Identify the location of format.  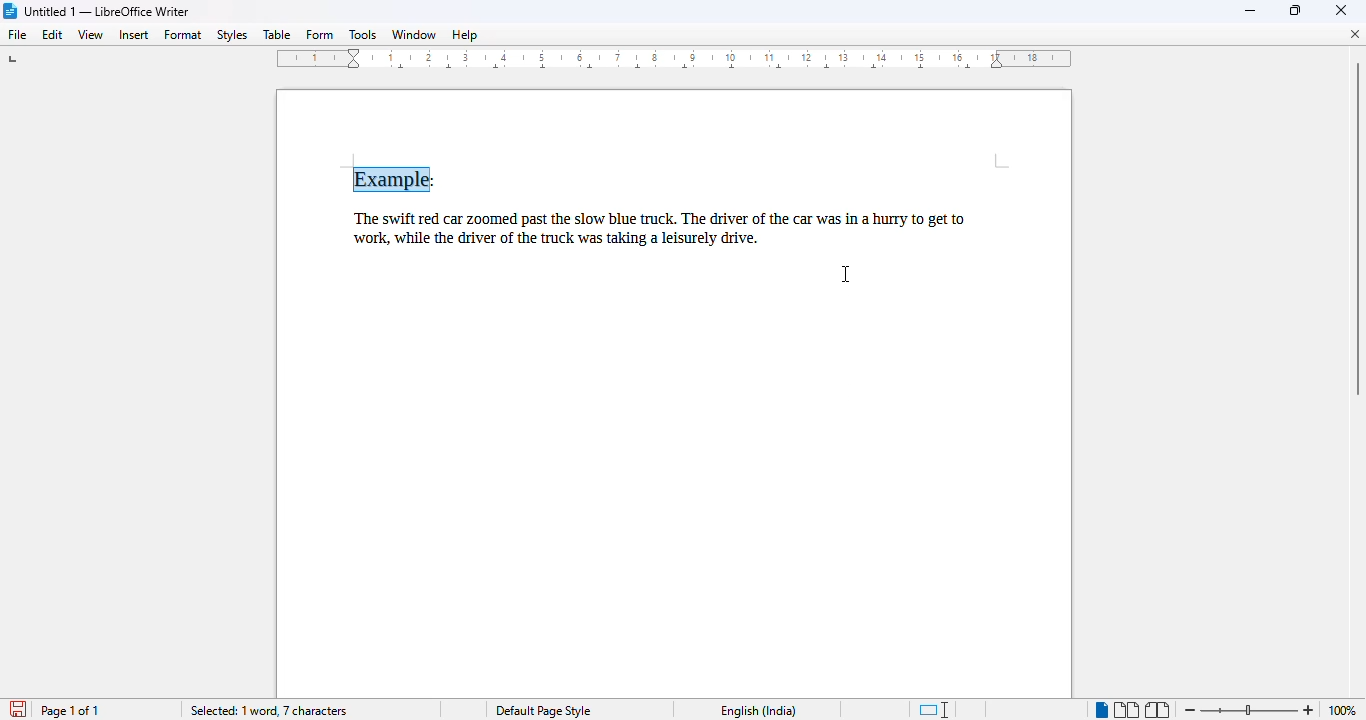
(184, 34).